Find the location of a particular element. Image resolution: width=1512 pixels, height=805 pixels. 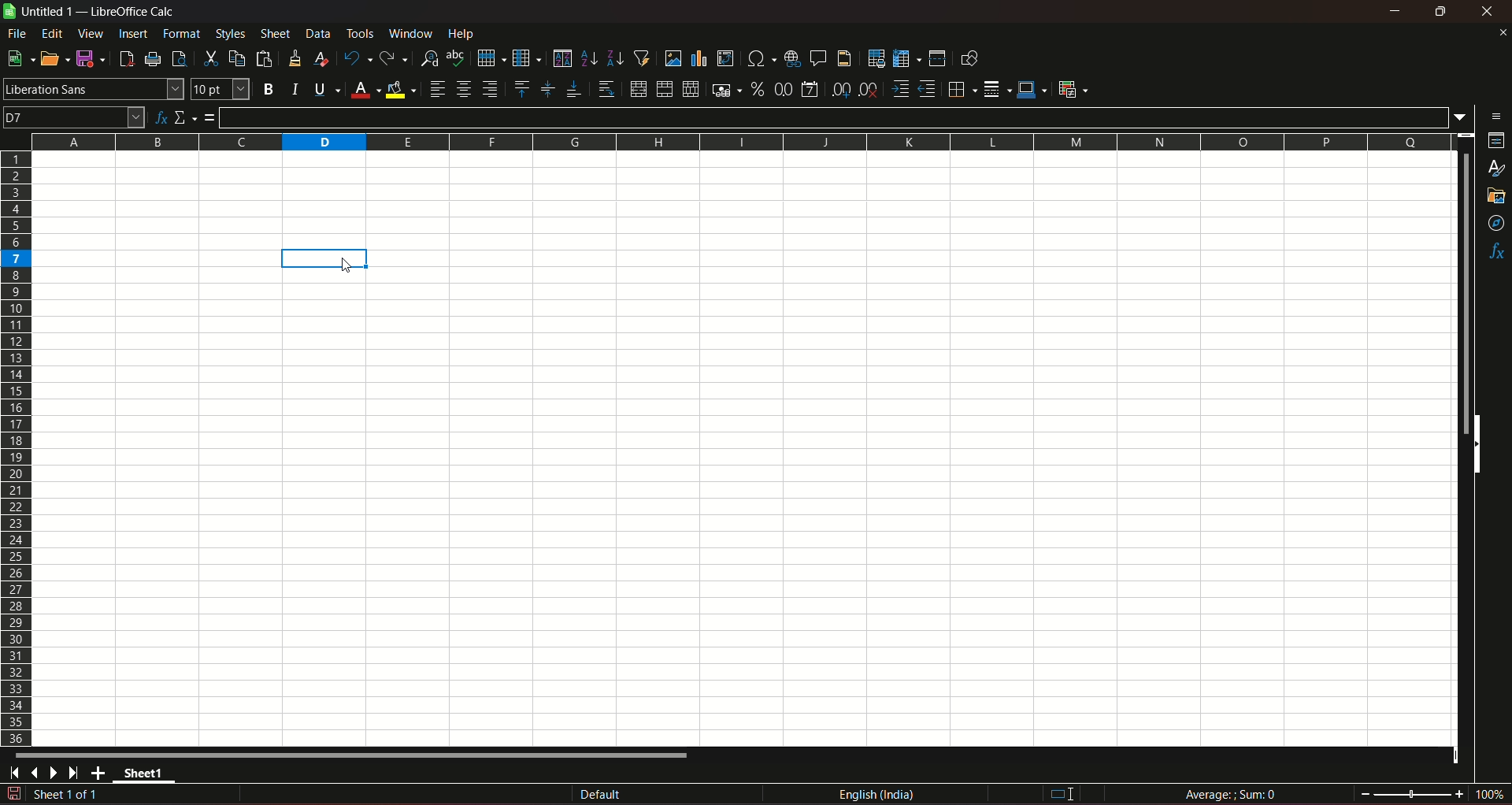

document modified is located at coordinates (13, 794).